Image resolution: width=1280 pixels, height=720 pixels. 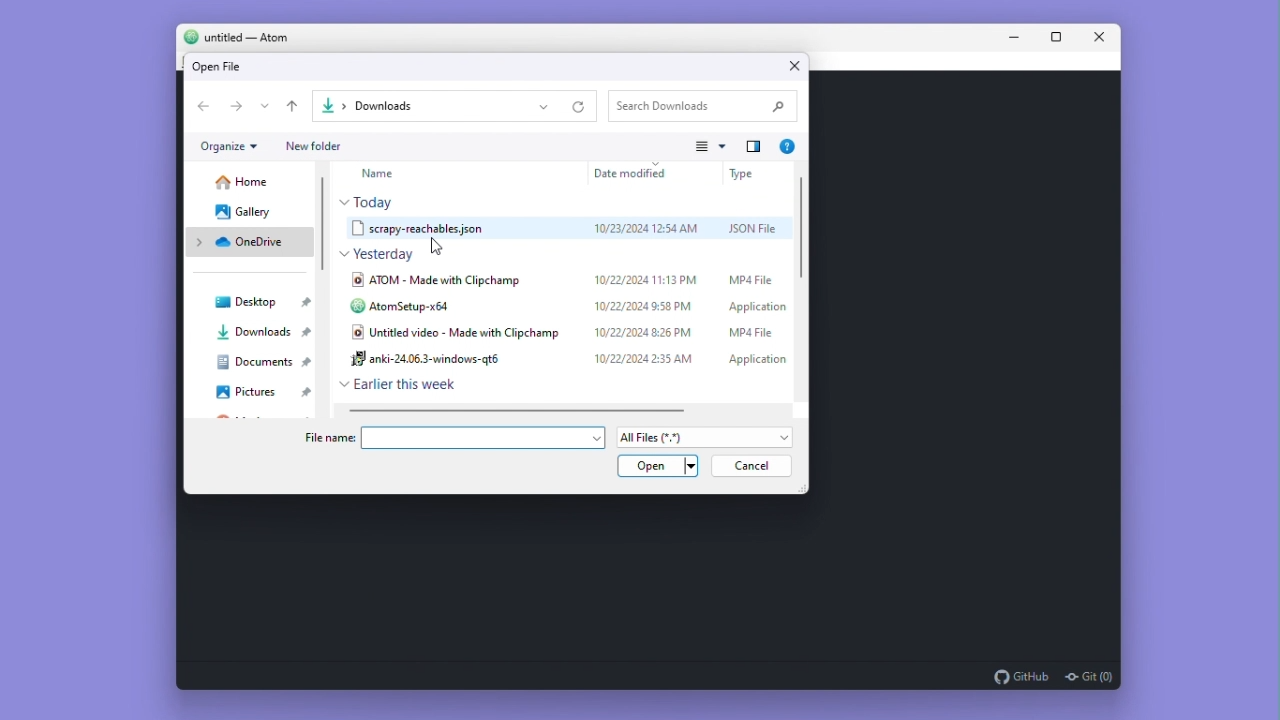 What do you see at coordinates (421, 204) in the screenshot?
I see `Today` at bounding box center [421, 204].